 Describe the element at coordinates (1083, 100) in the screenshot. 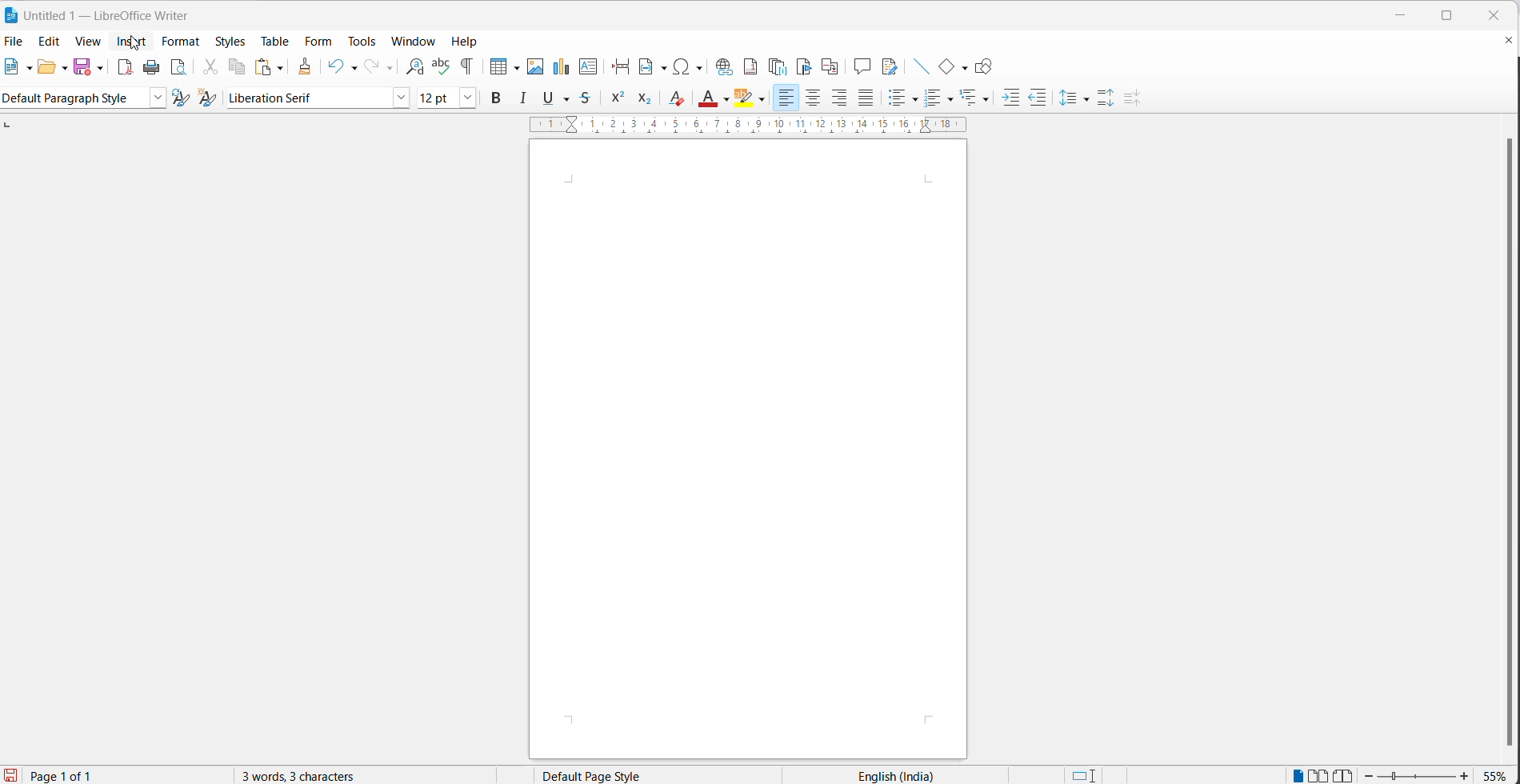

I see `line spacing options` at that location.